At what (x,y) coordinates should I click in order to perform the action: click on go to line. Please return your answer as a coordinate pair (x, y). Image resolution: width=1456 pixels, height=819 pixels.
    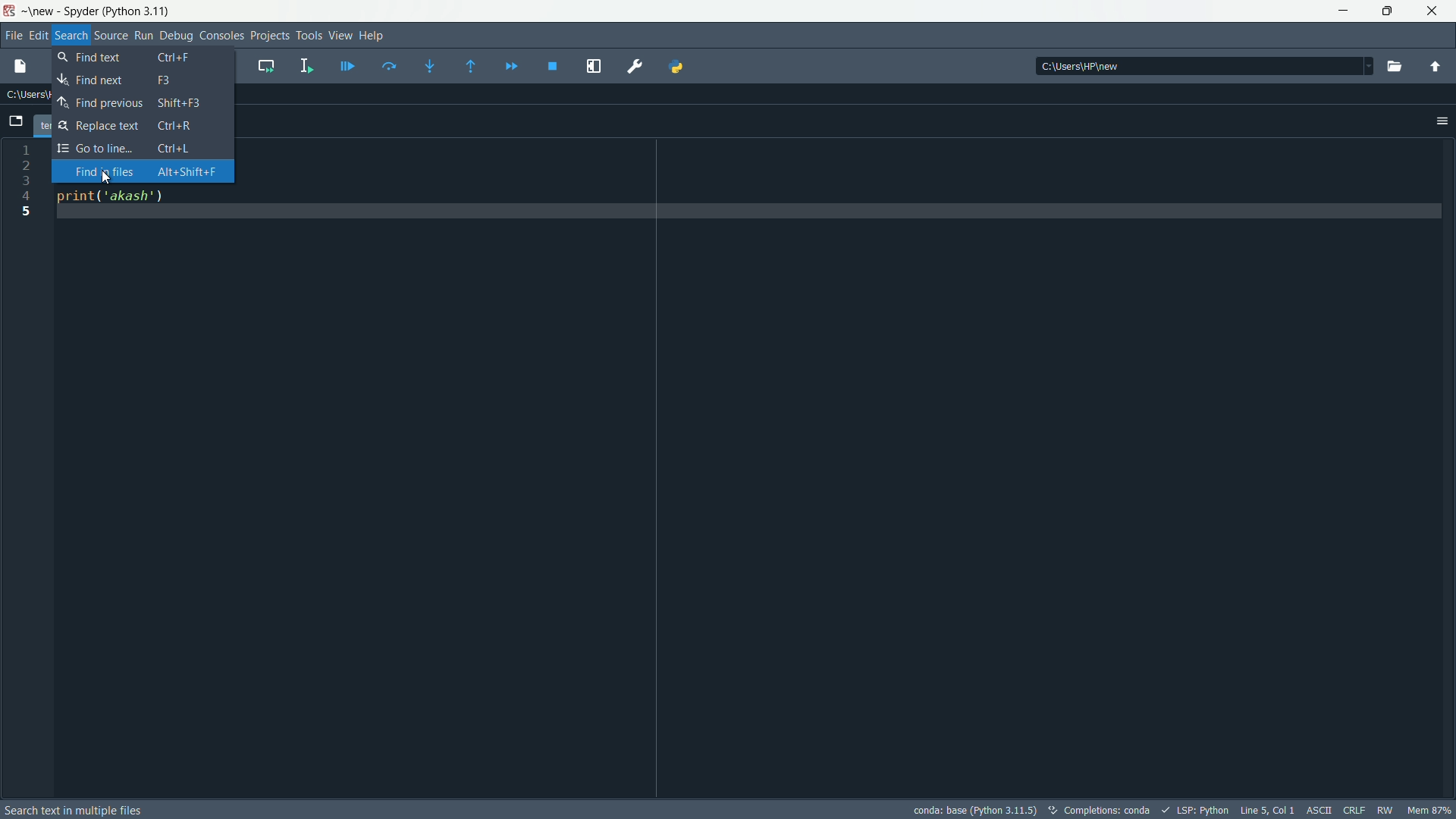
    Looking at the image, I should click on (139, 147).